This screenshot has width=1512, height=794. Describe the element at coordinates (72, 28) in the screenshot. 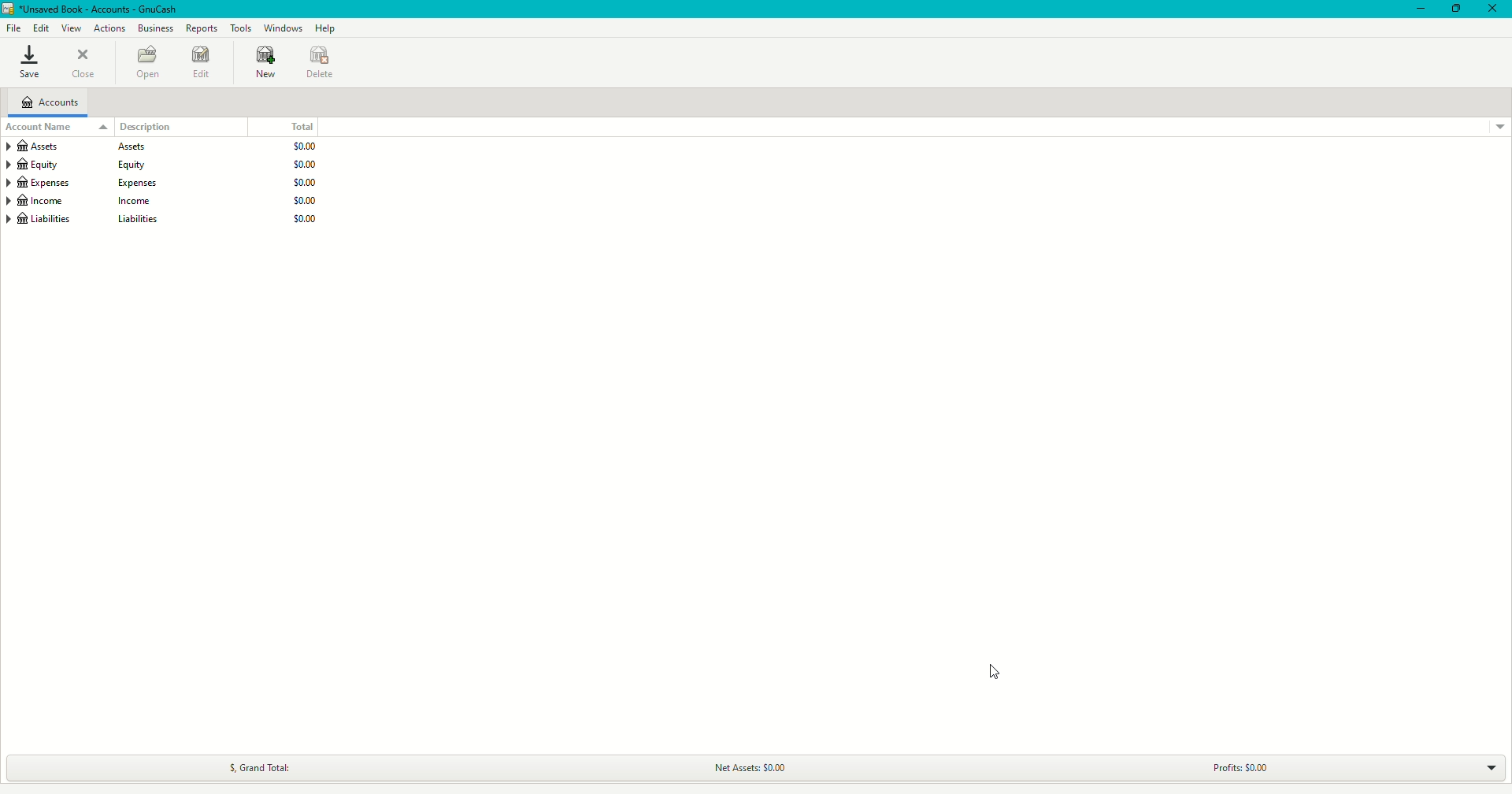

I see `View` at that location.